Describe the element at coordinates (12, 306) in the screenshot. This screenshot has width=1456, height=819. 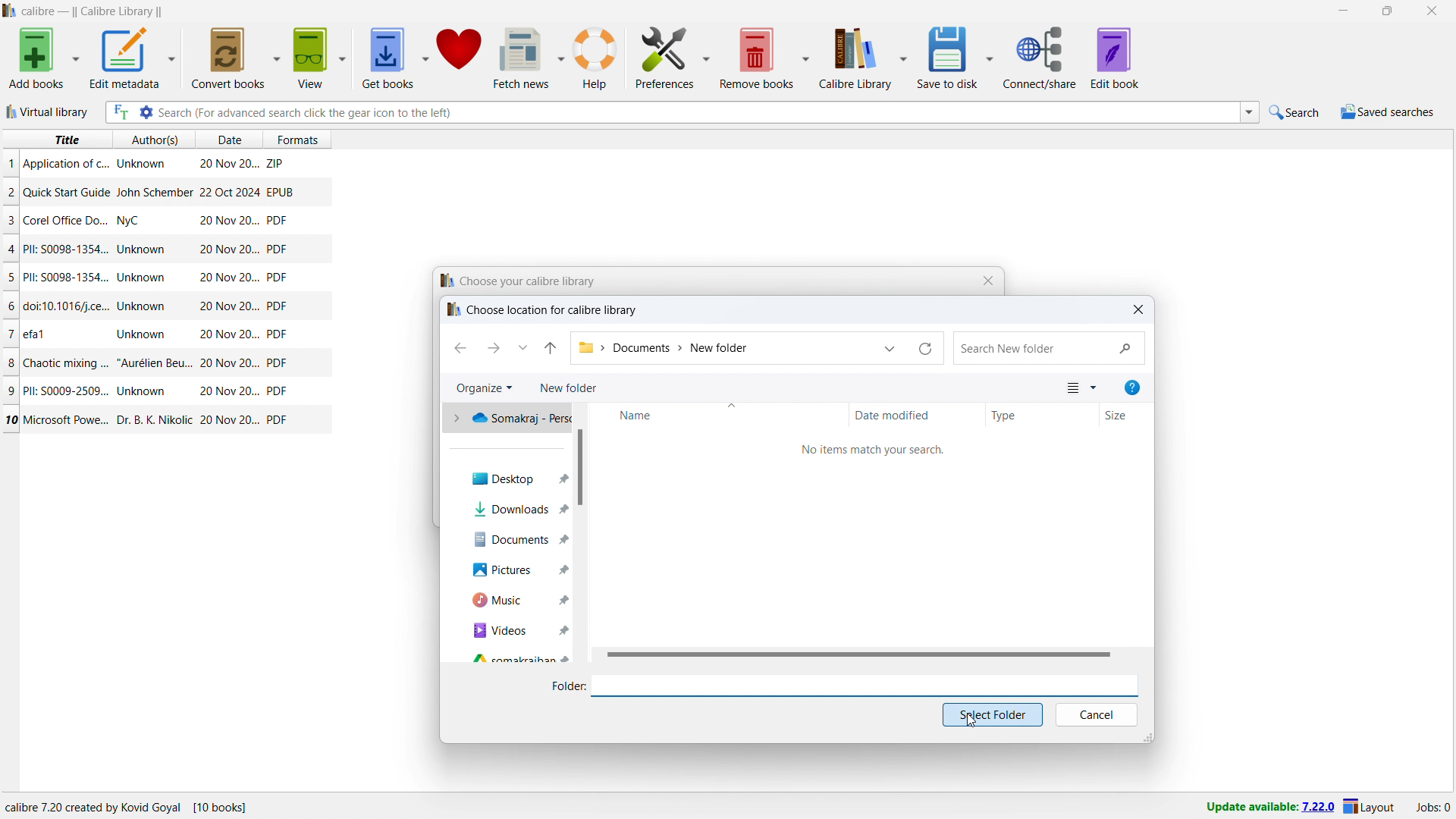
I see `6` at that location.